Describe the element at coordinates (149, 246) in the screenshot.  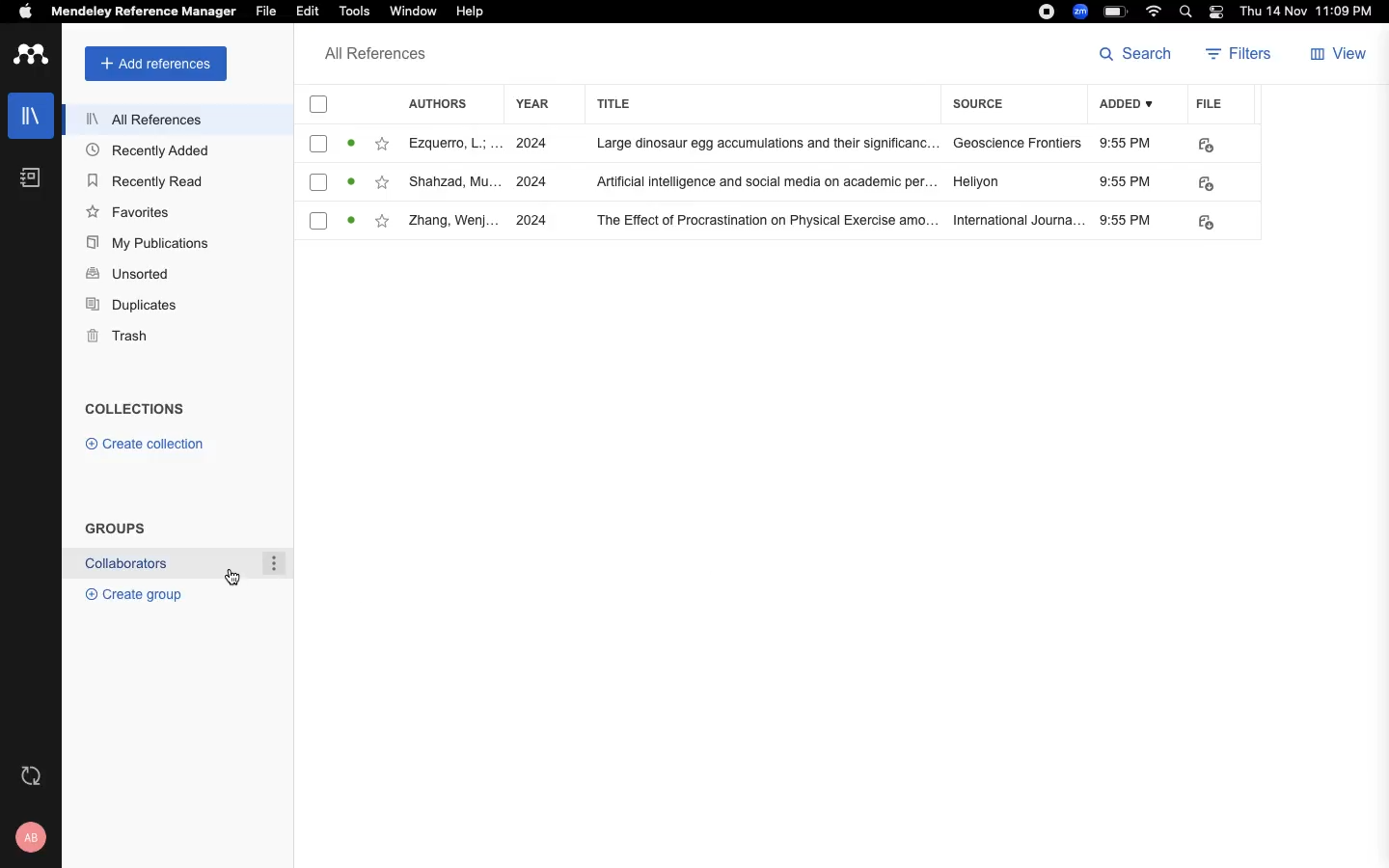
I see `My Publications` at that location.